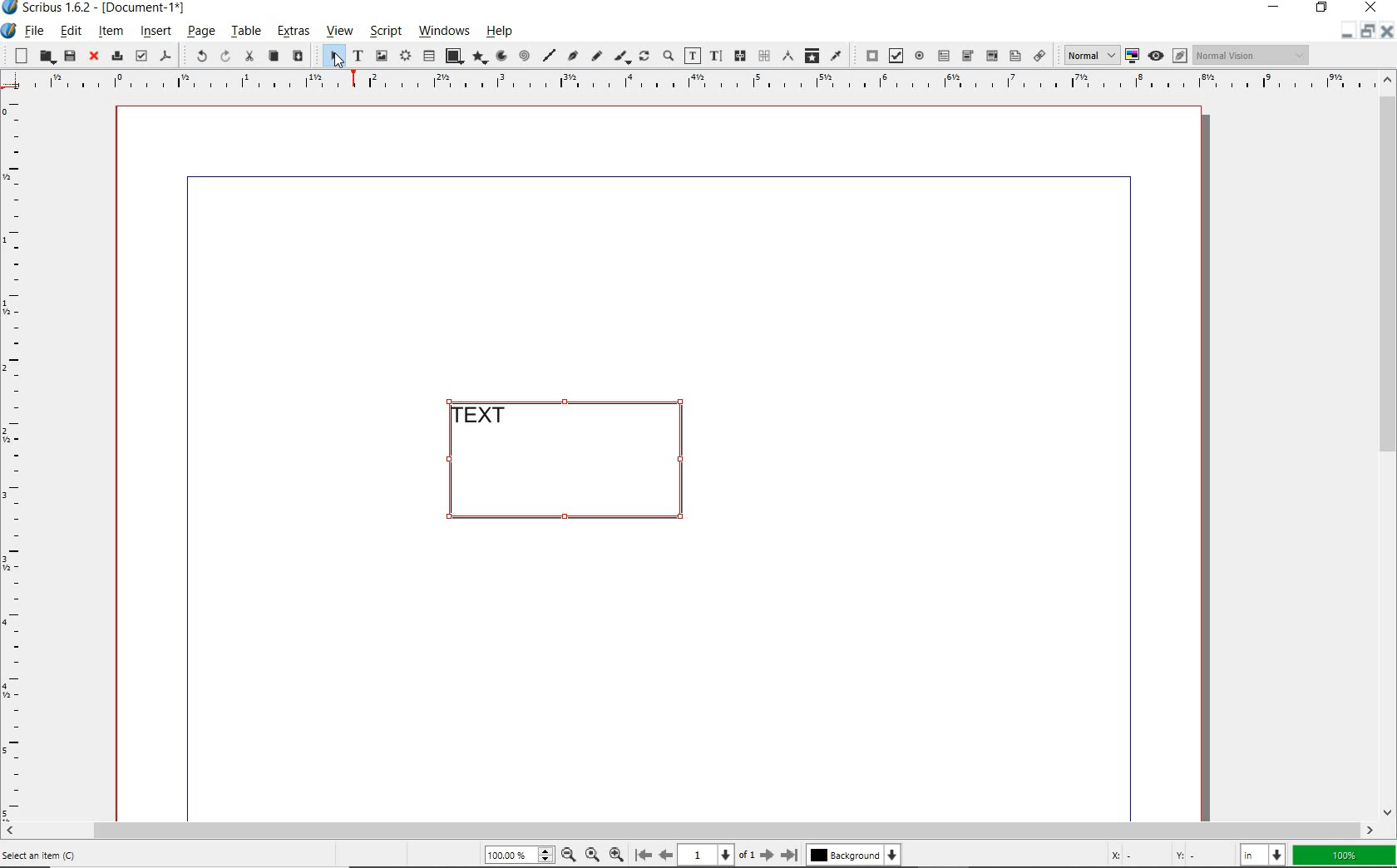 The width and height of the screenshot is (1397, 868). Describe the element at coordinates (690, 830) in the screenshot. I see `scrollbar` at that location.